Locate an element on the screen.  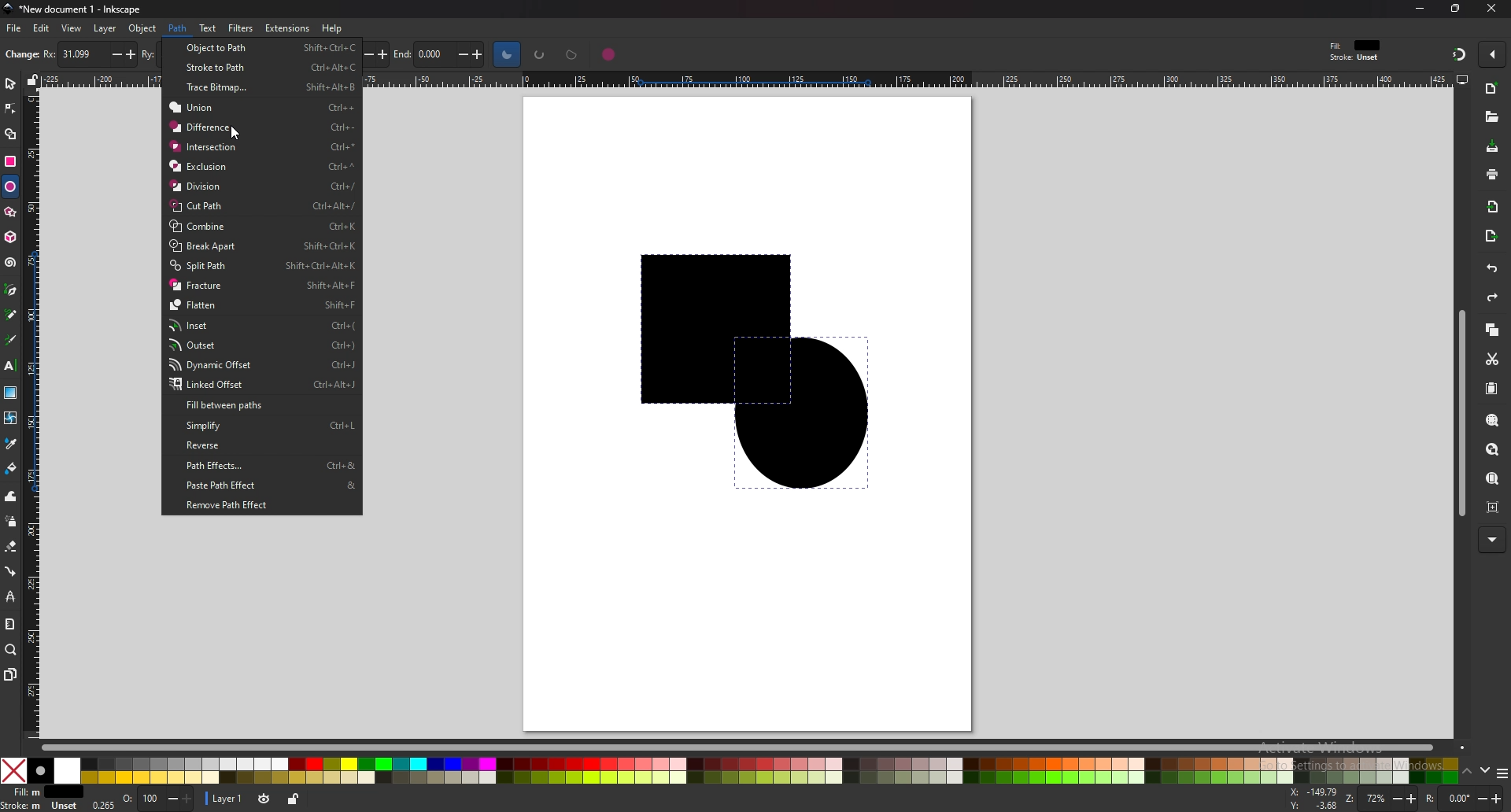
Difference is located at coordinates (263, 127).